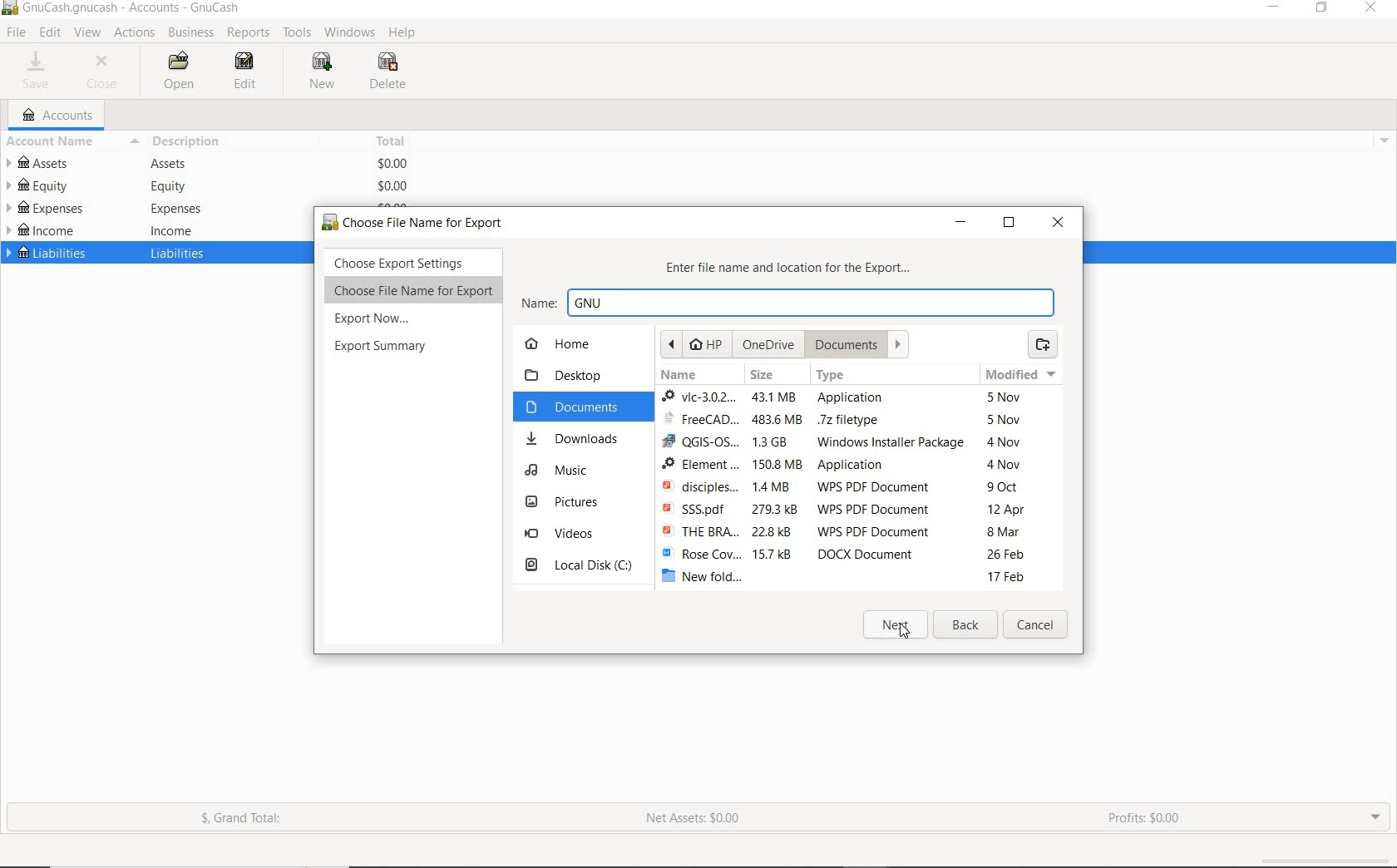 The height and width of the screenshot is (868, 1397). Describe the element at coordinates (570, 501) in the screenshot. I see `pictures` at that location.